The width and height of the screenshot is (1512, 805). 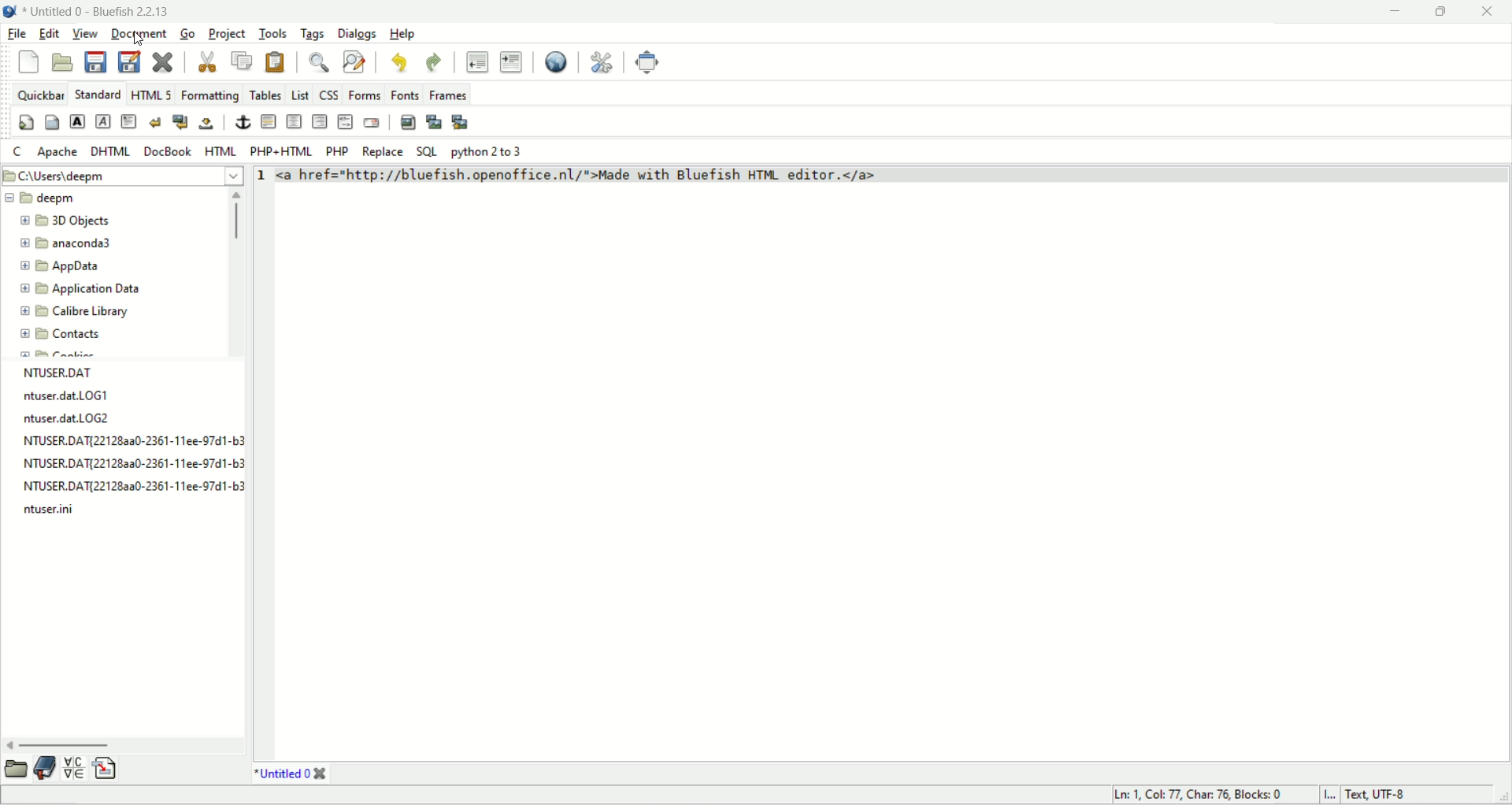 What do you see at coordinates (283, 152) in the screenshot?
I see `PHP+HTML` at bounding box center [283, 152].